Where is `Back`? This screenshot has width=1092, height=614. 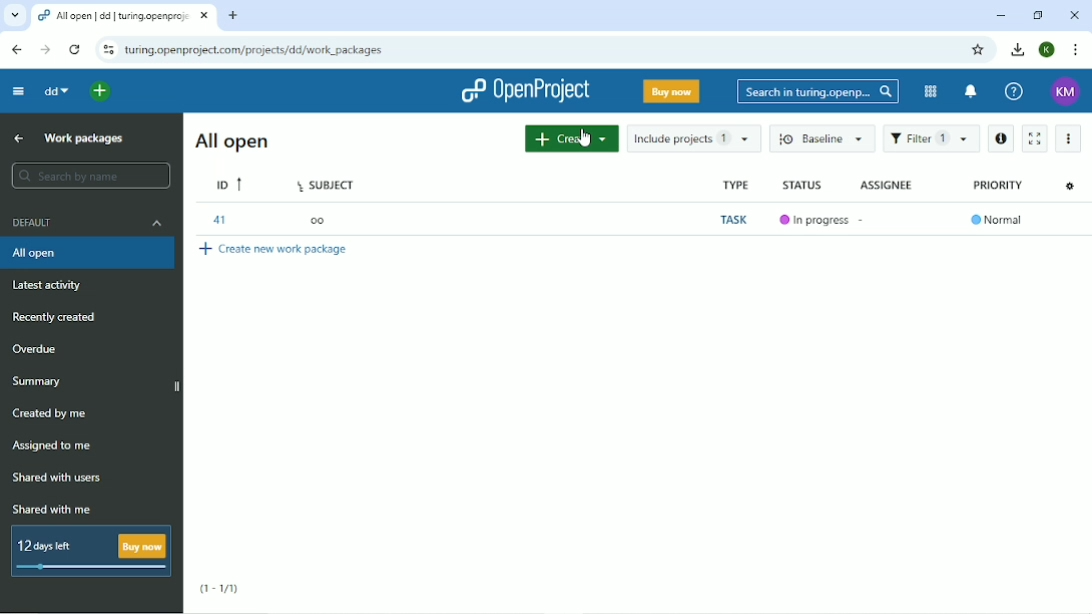 Back is located at coordinates (16, 50).